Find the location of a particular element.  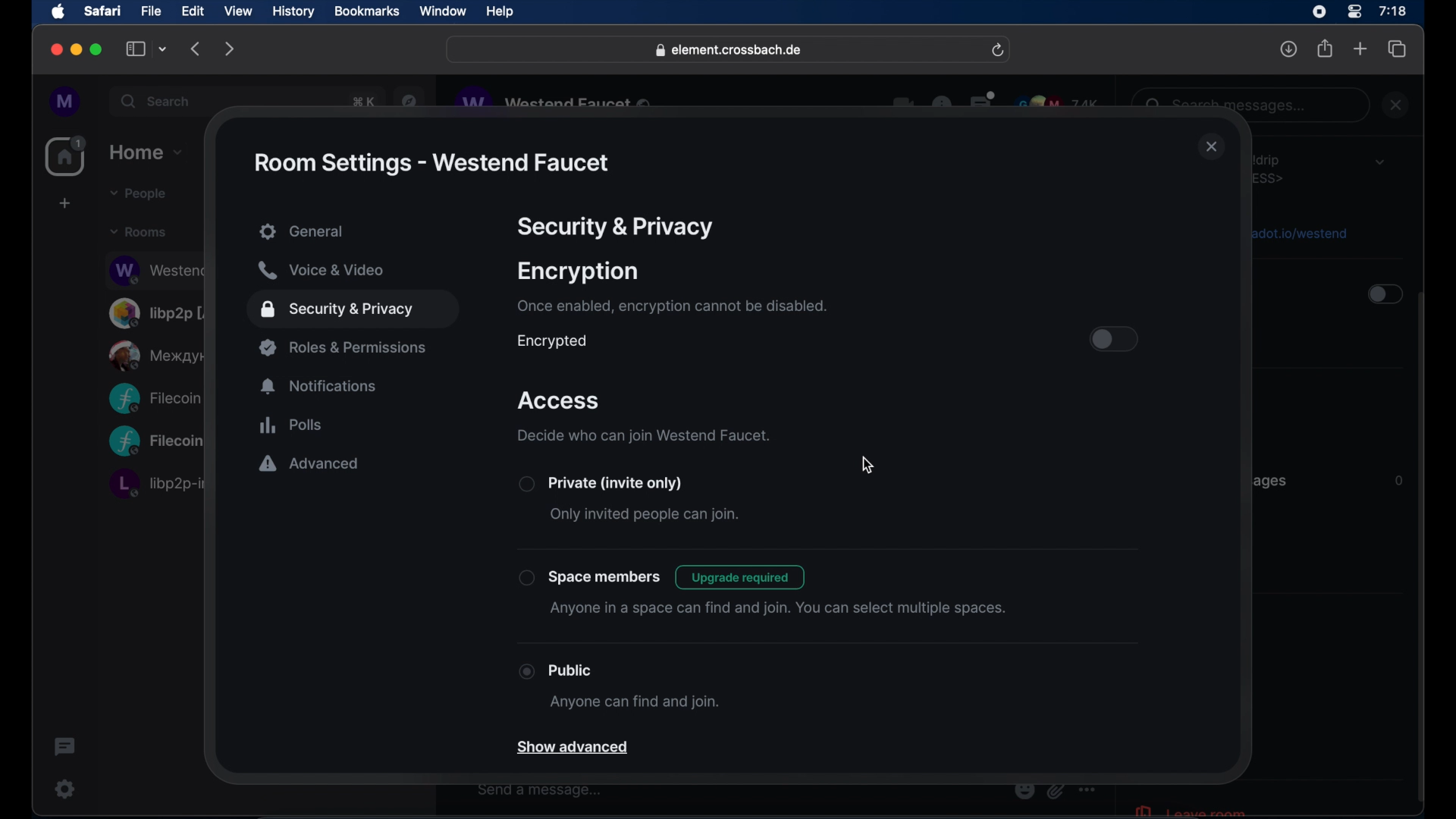

obscure is located at coordinates (156, 269).